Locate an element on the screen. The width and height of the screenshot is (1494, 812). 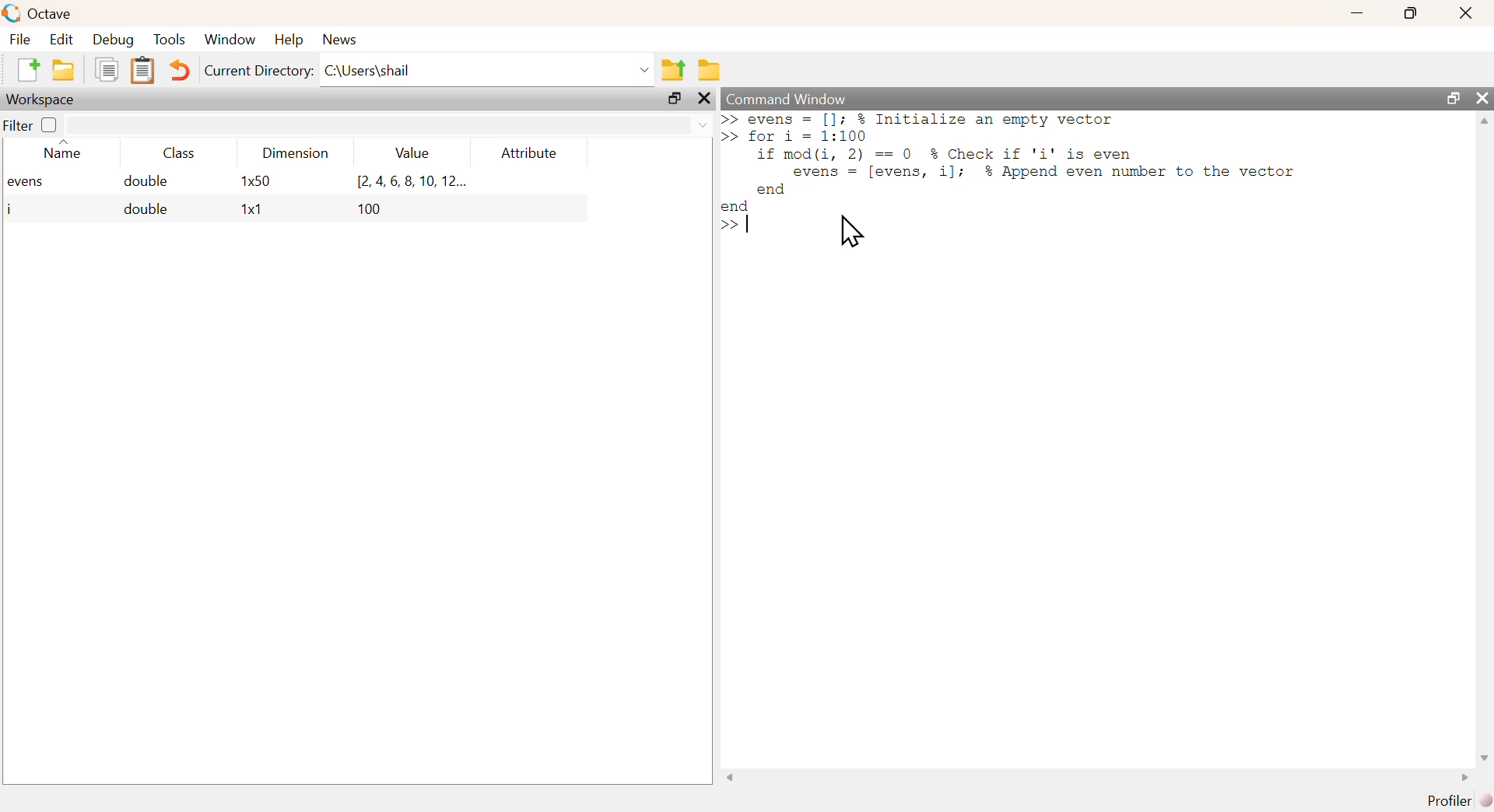
double is located at coordinates (150, 182).